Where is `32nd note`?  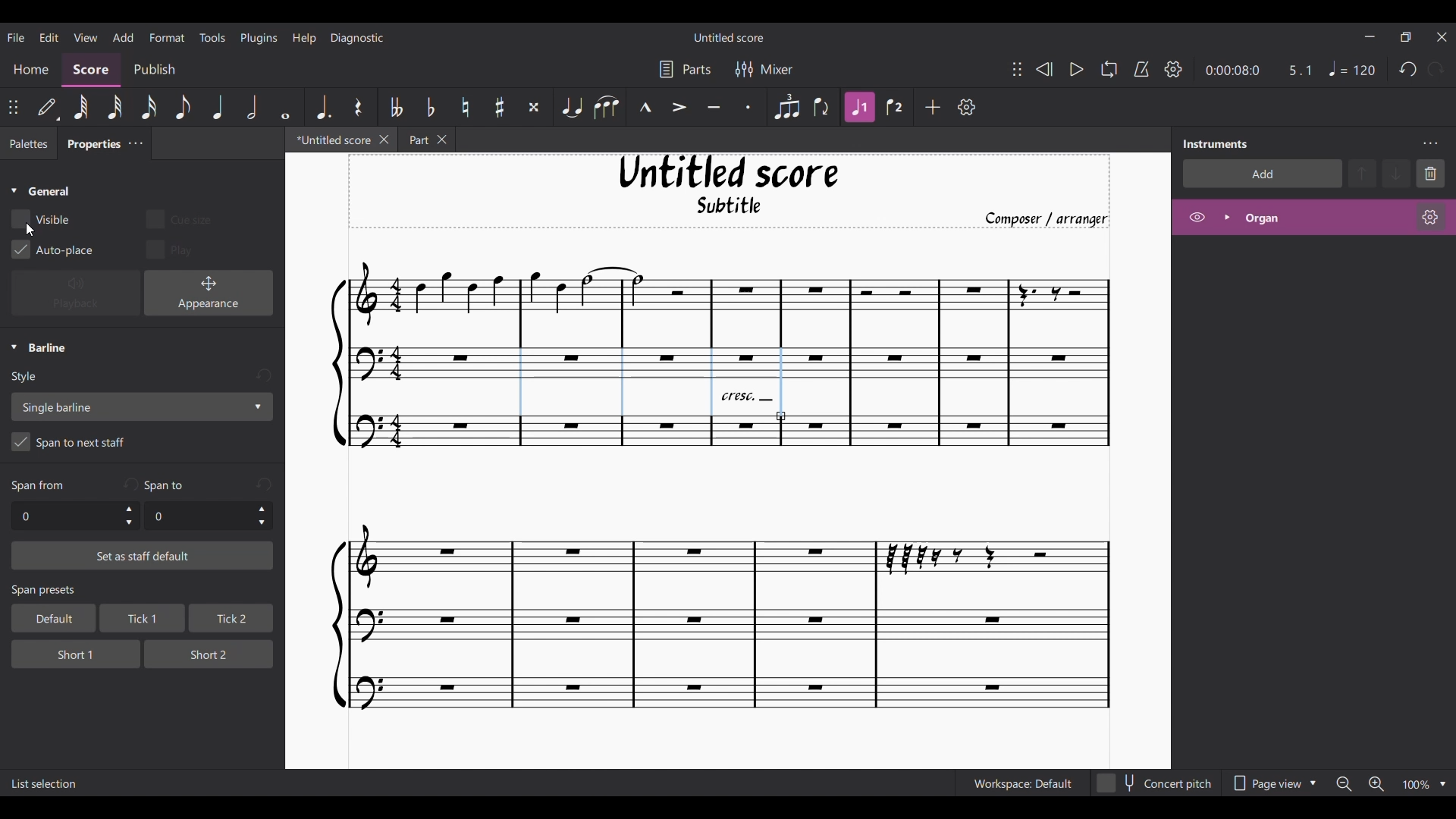 32nd note is located at coordinates (116, 108).